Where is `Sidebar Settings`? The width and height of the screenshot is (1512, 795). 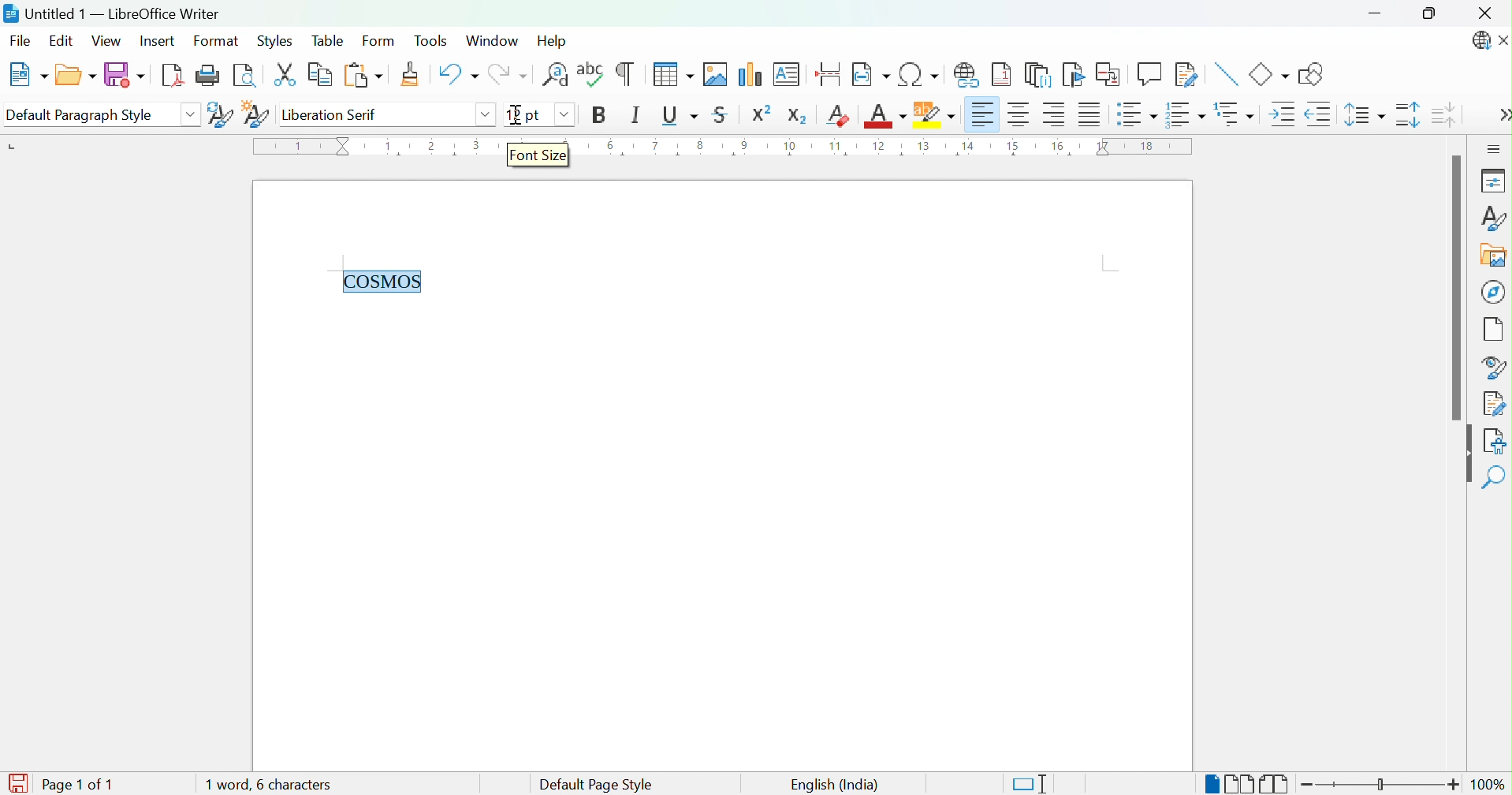 Sidebar Settings is located at coordinates (1494, 148).